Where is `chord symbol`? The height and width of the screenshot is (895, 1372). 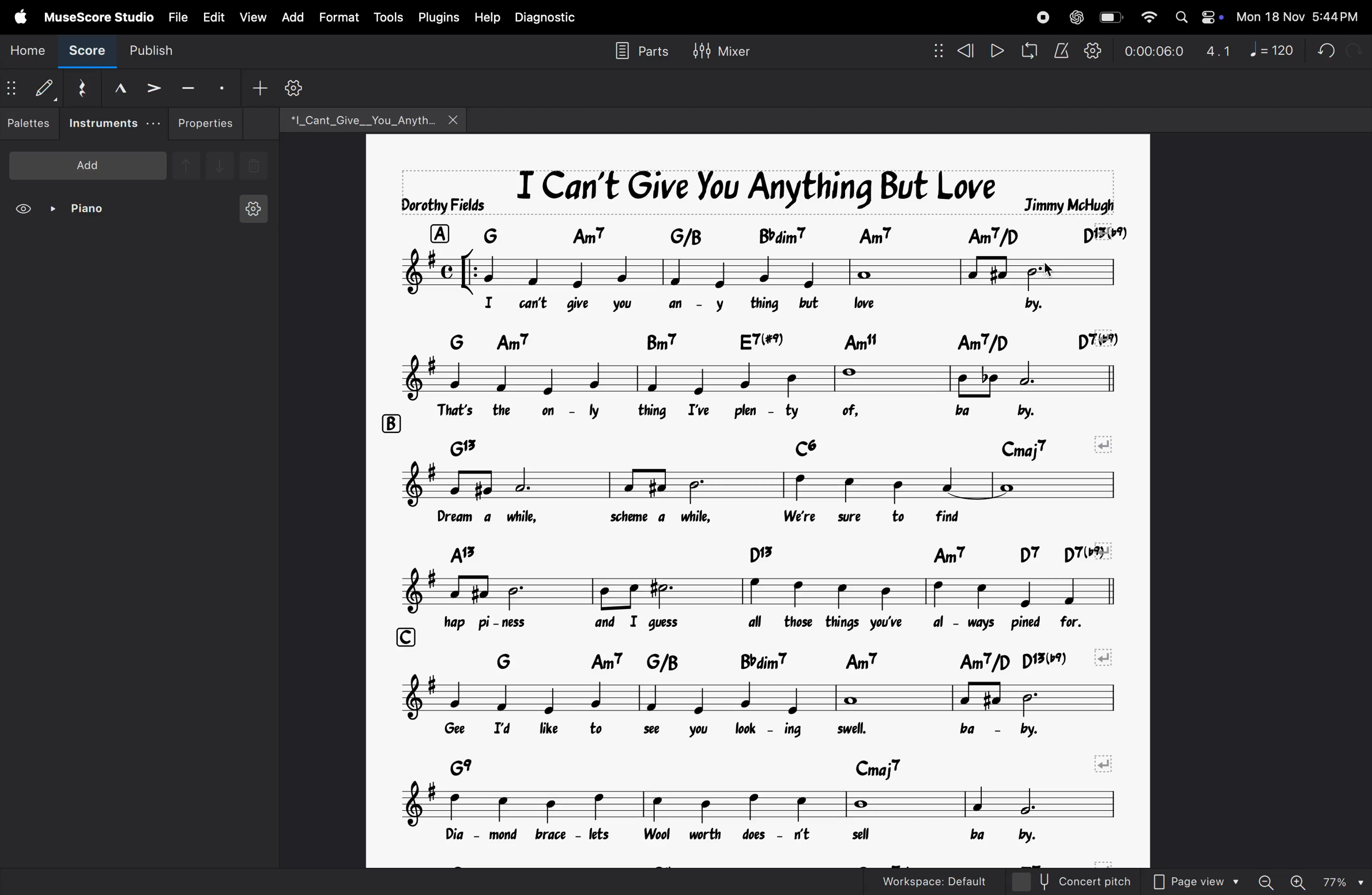
chord symbol is located at coordinates (803, 337).